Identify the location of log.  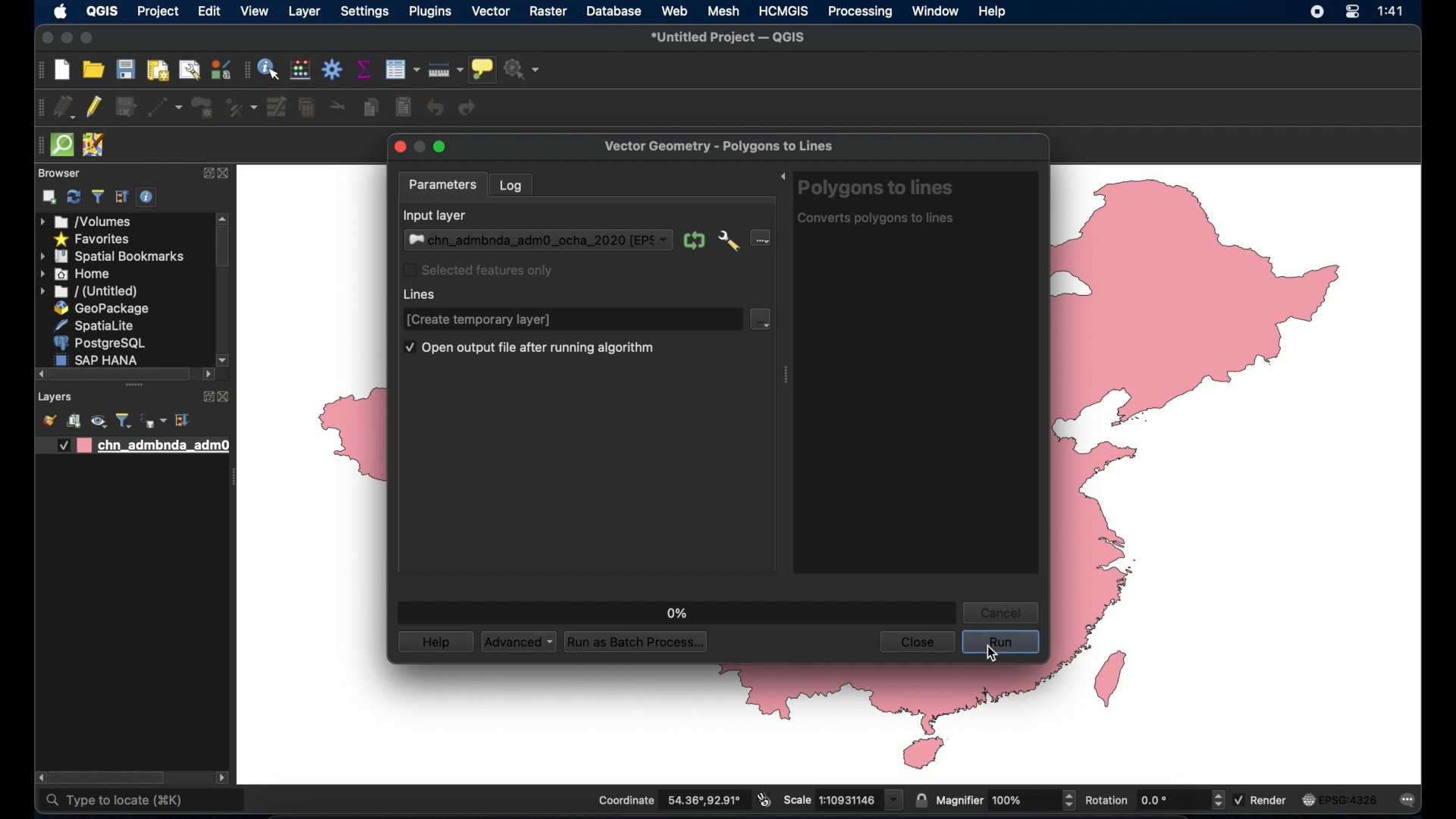
(510, 184).